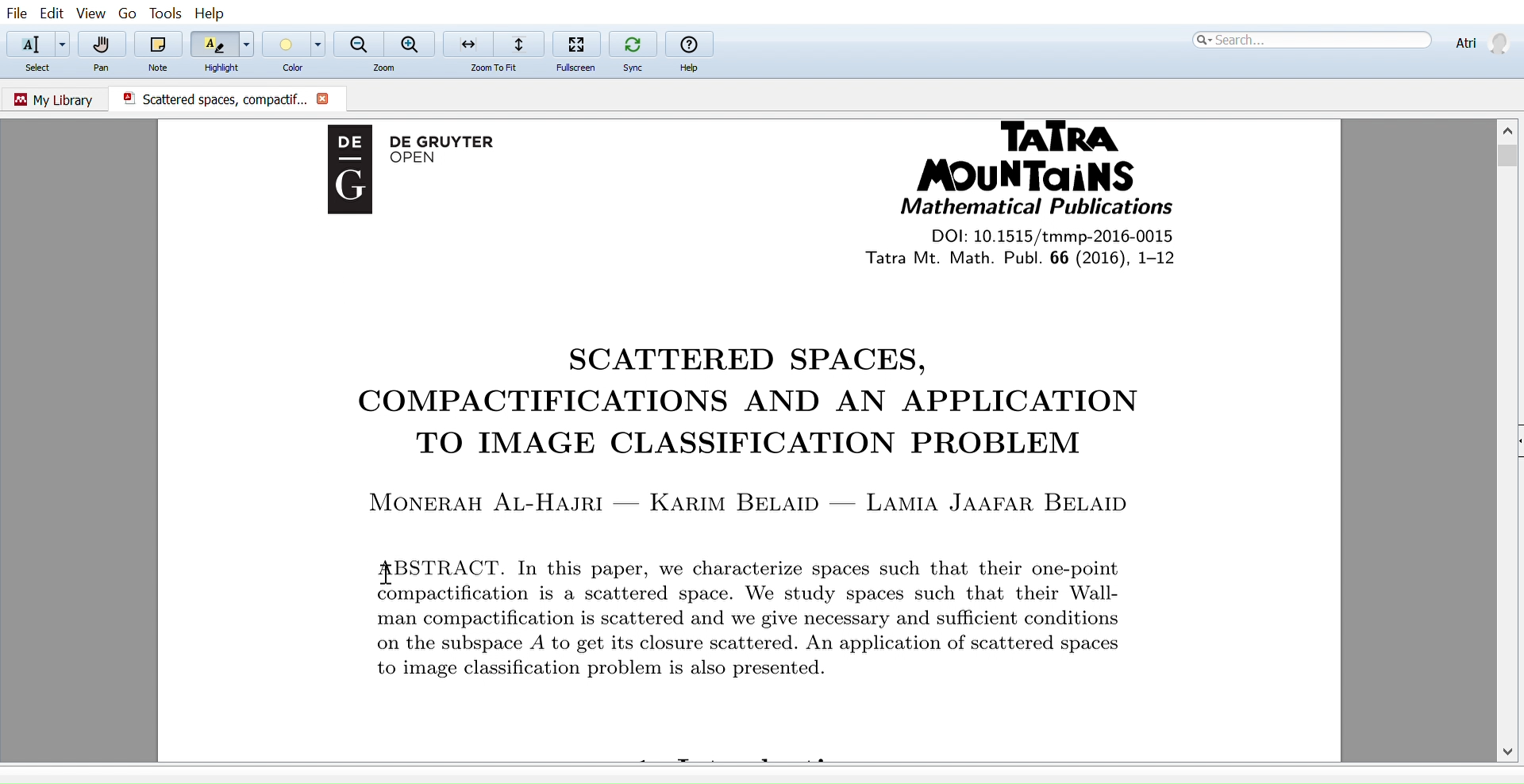  Describe the element at coordinates (1510, 751) in the screenshot. I see `Move down` at that location.